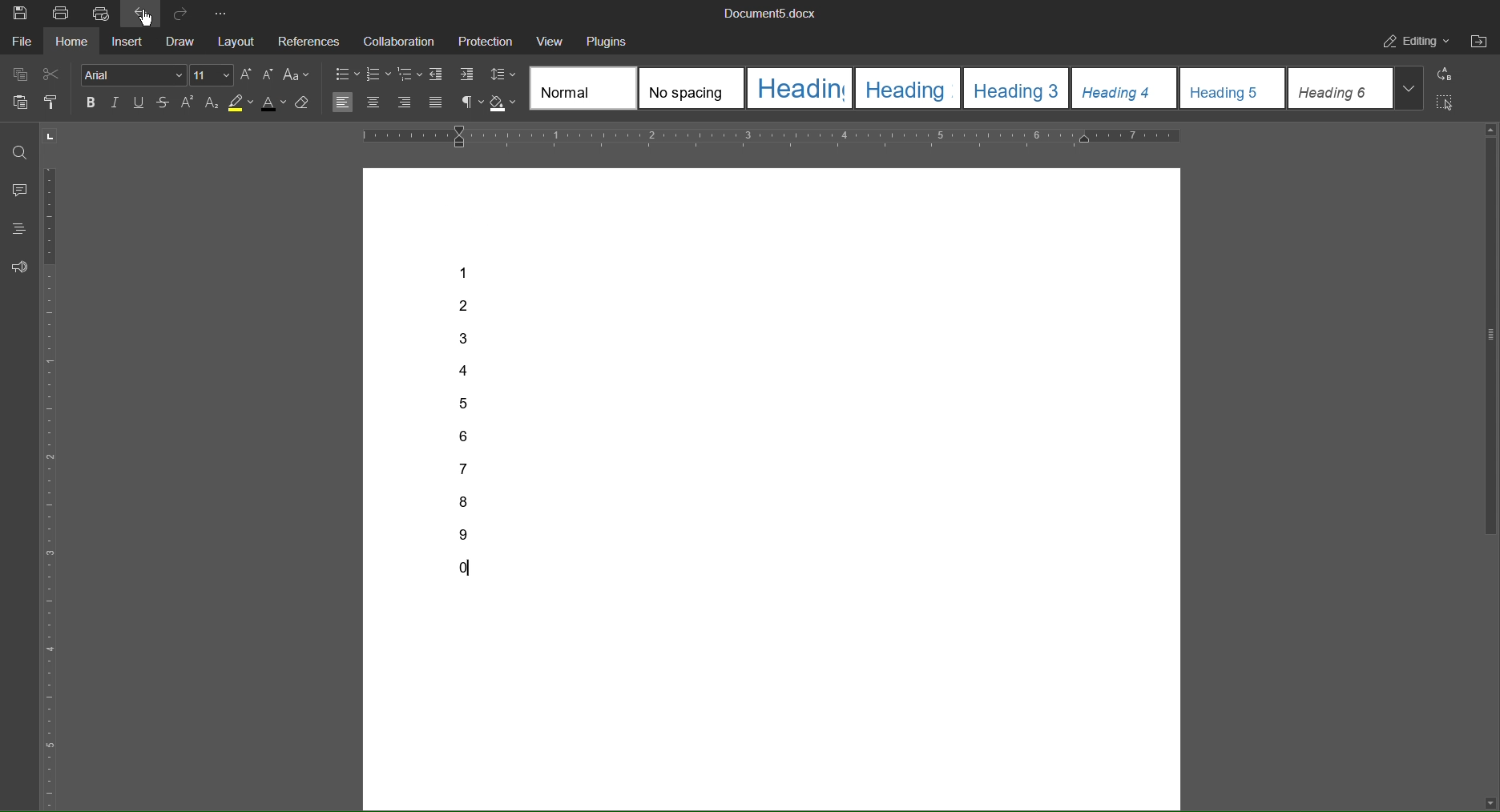 This screenshot has height=812, width=1500. What do you see at coordinates (212, 103) in the screenshot?
I see `Subscript` at bounding box center [212, 103].